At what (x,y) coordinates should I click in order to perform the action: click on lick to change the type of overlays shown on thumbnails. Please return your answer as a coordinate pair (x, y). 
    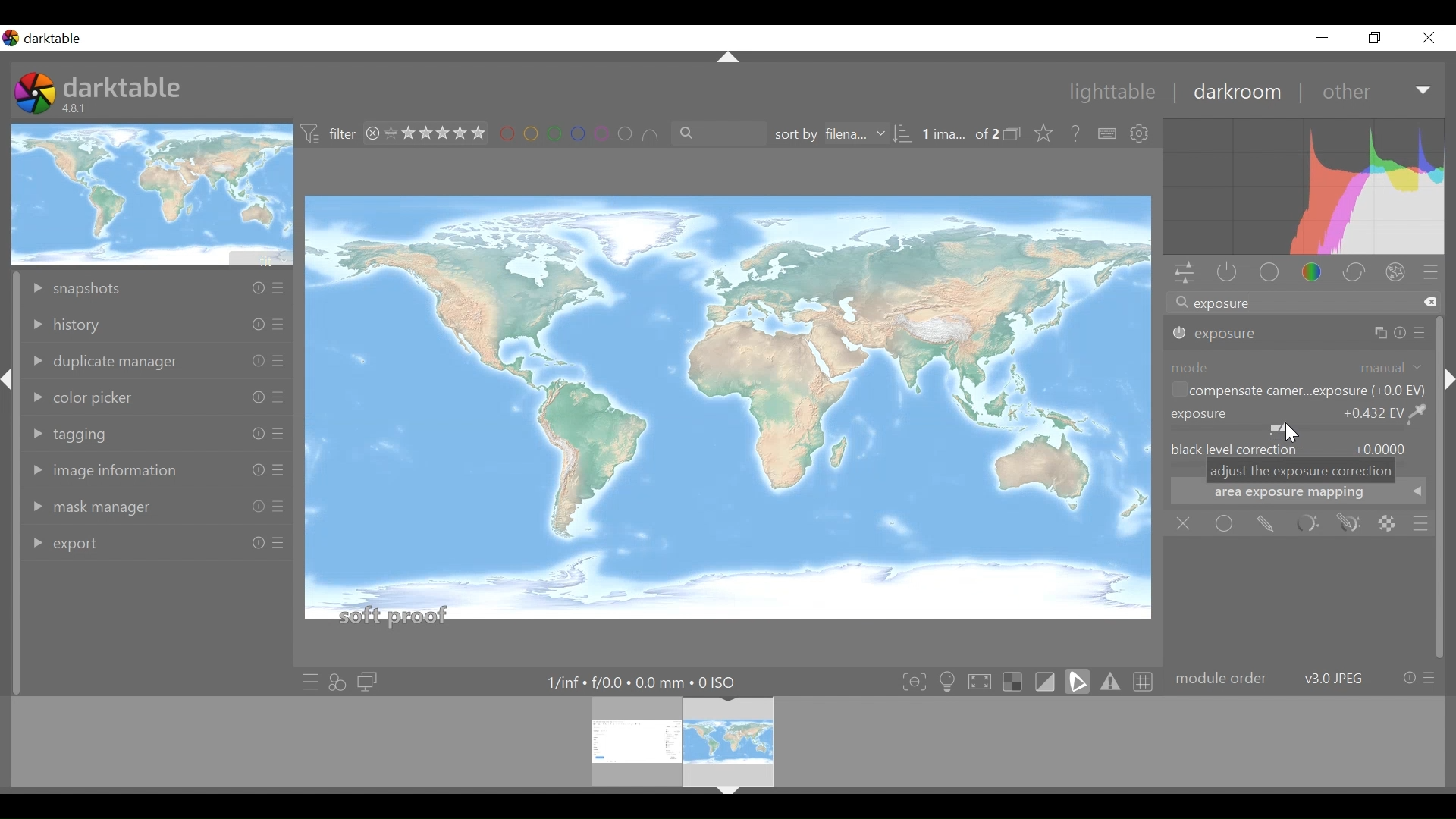
    Looking at the image, I should click on (1045, 134).